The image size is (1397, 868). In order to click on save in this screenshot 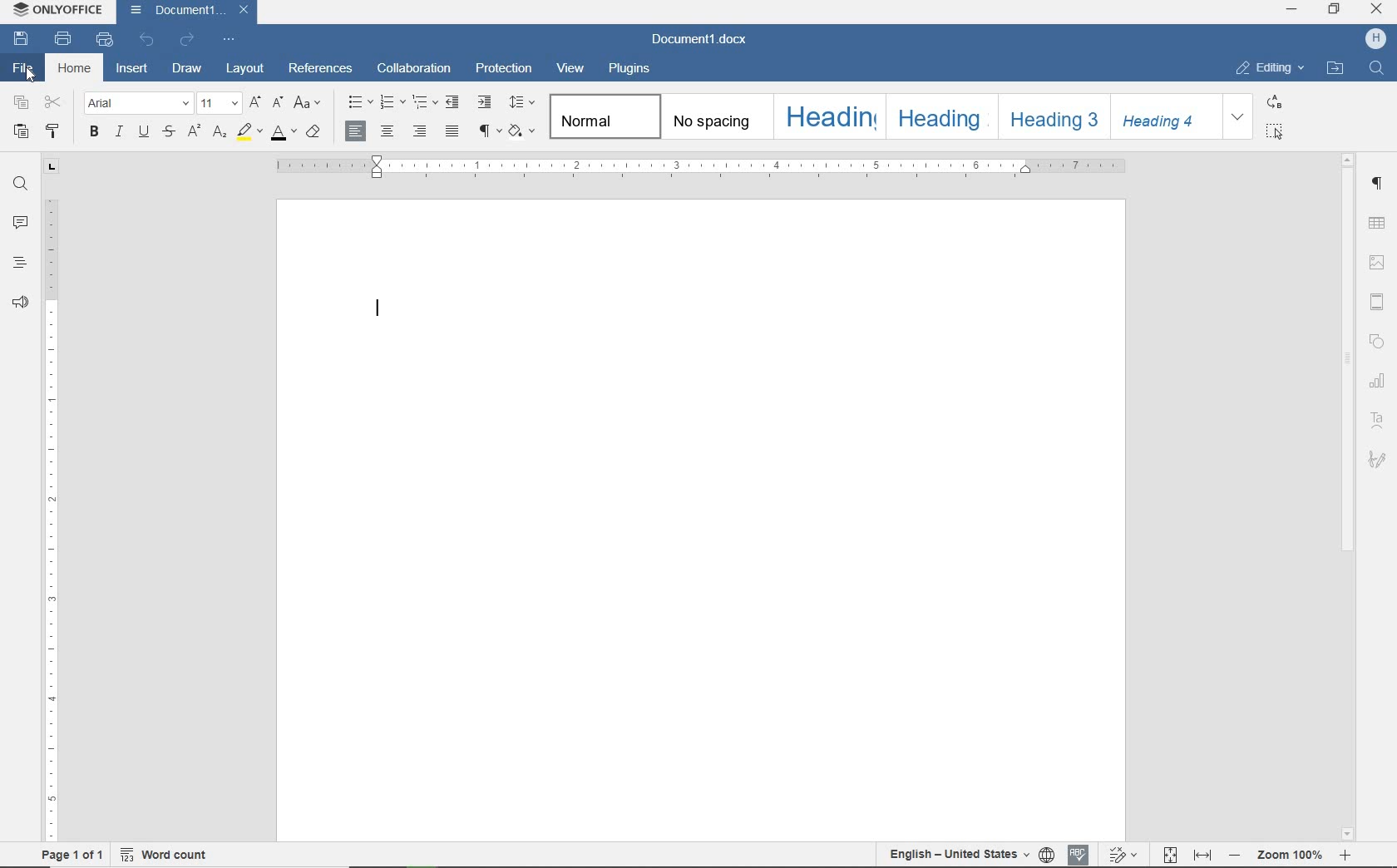, I will do `click(22, 37)`.